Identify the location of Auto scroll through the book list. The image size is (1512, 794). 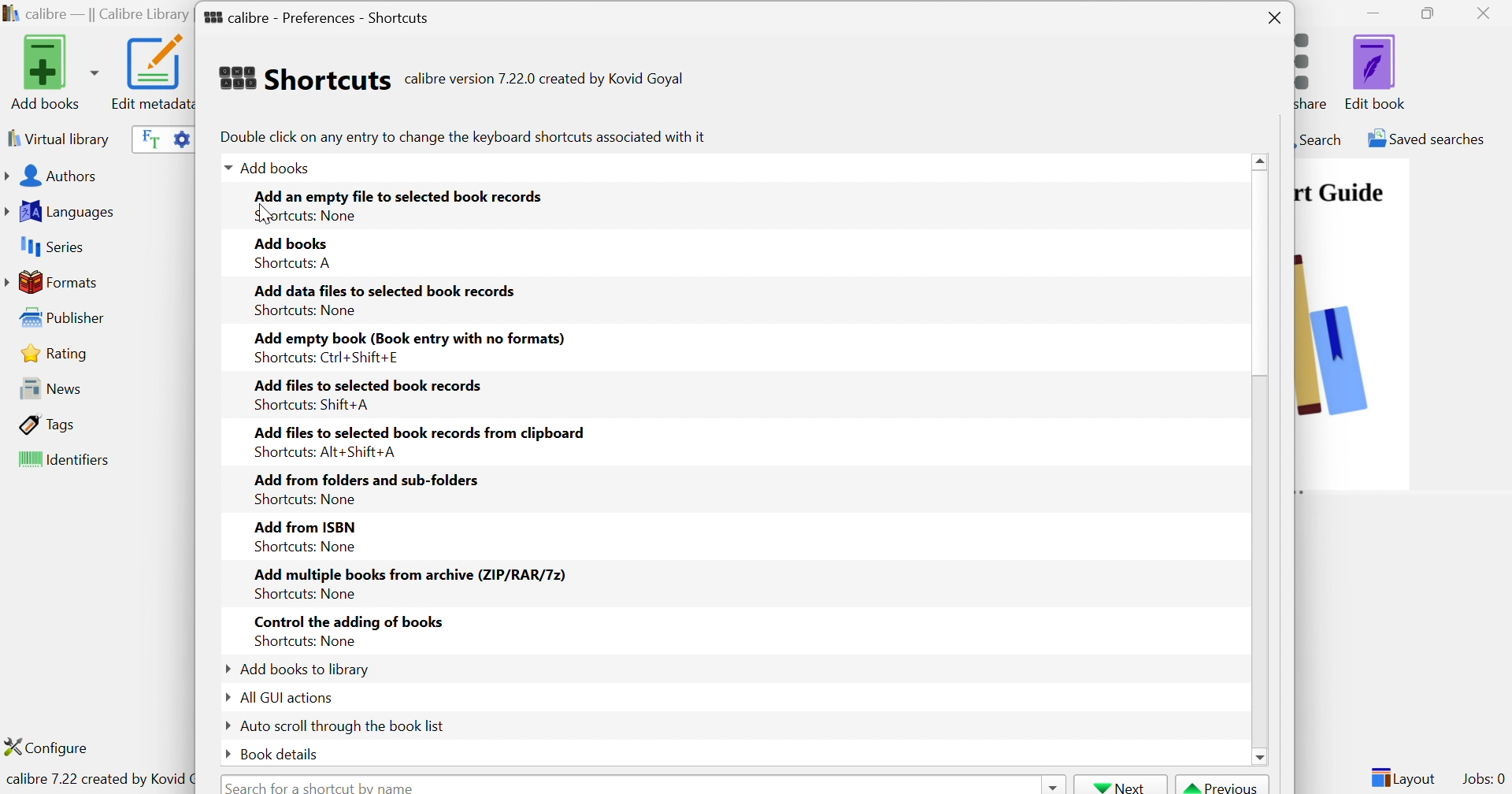
(344, 724).